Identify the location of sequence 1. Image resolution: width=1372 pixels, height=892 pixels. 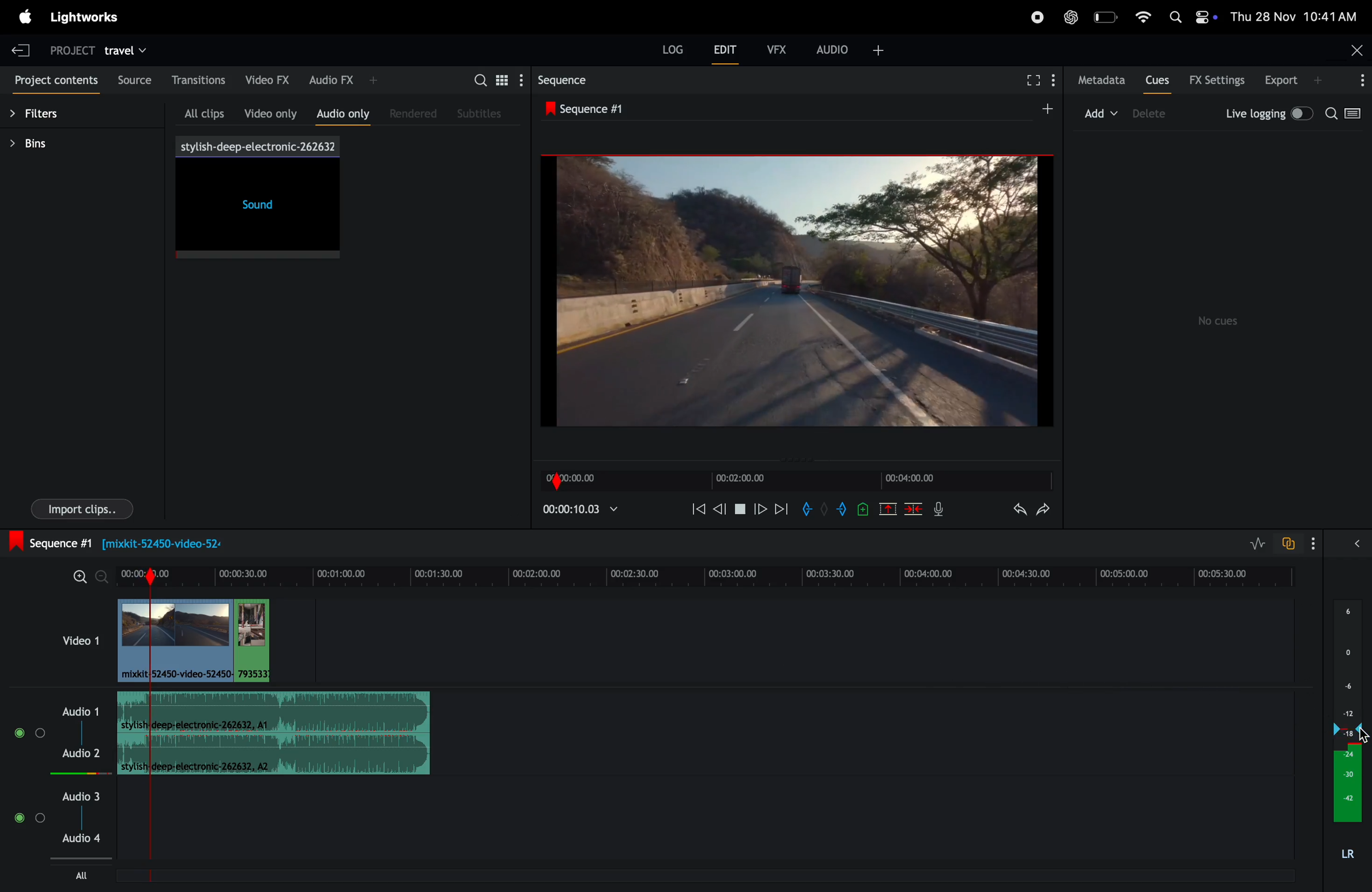
(691, 109).